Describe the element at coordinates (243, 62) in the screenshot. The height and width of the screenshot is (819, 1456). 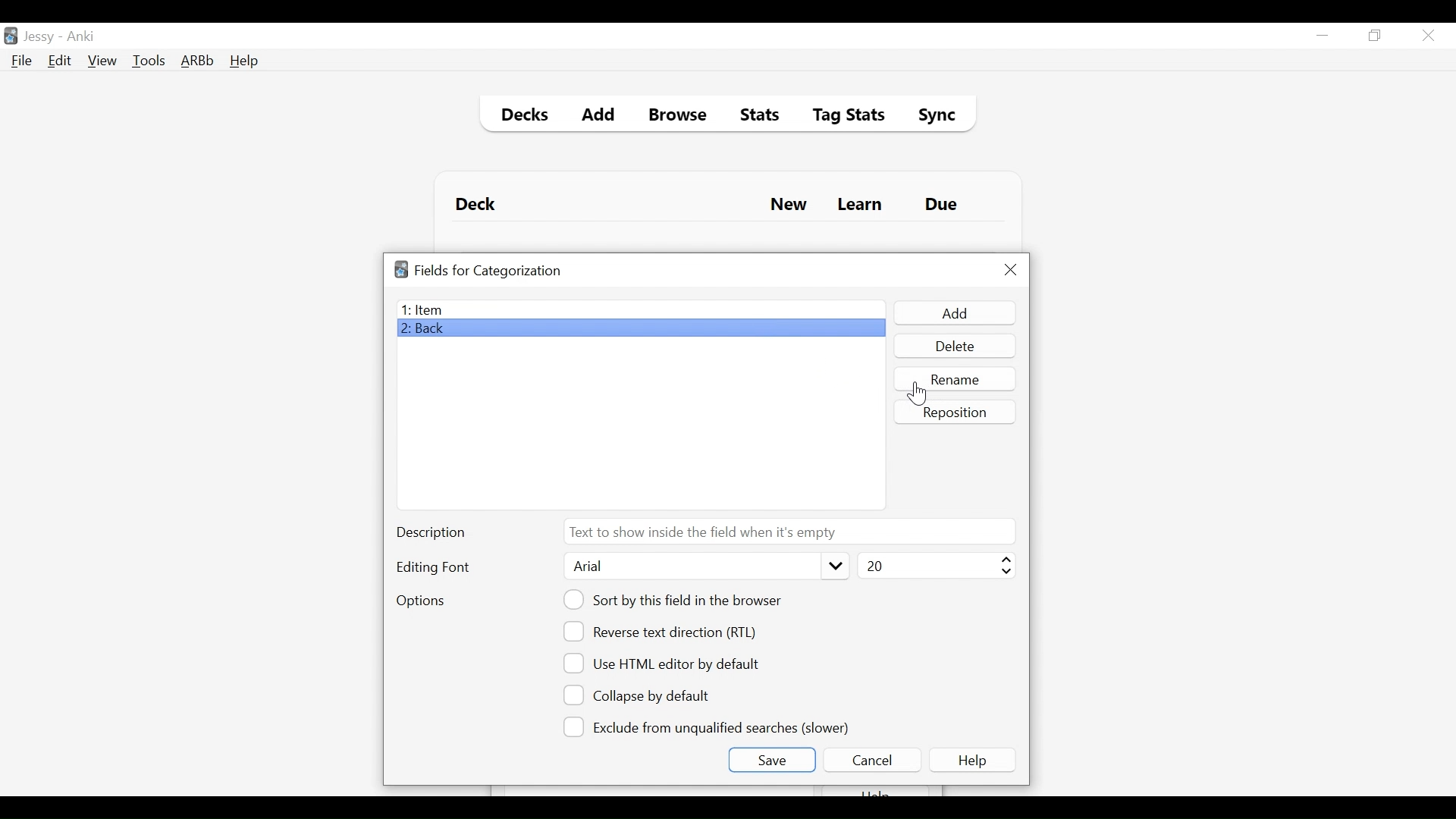
I see `Help` at that location.